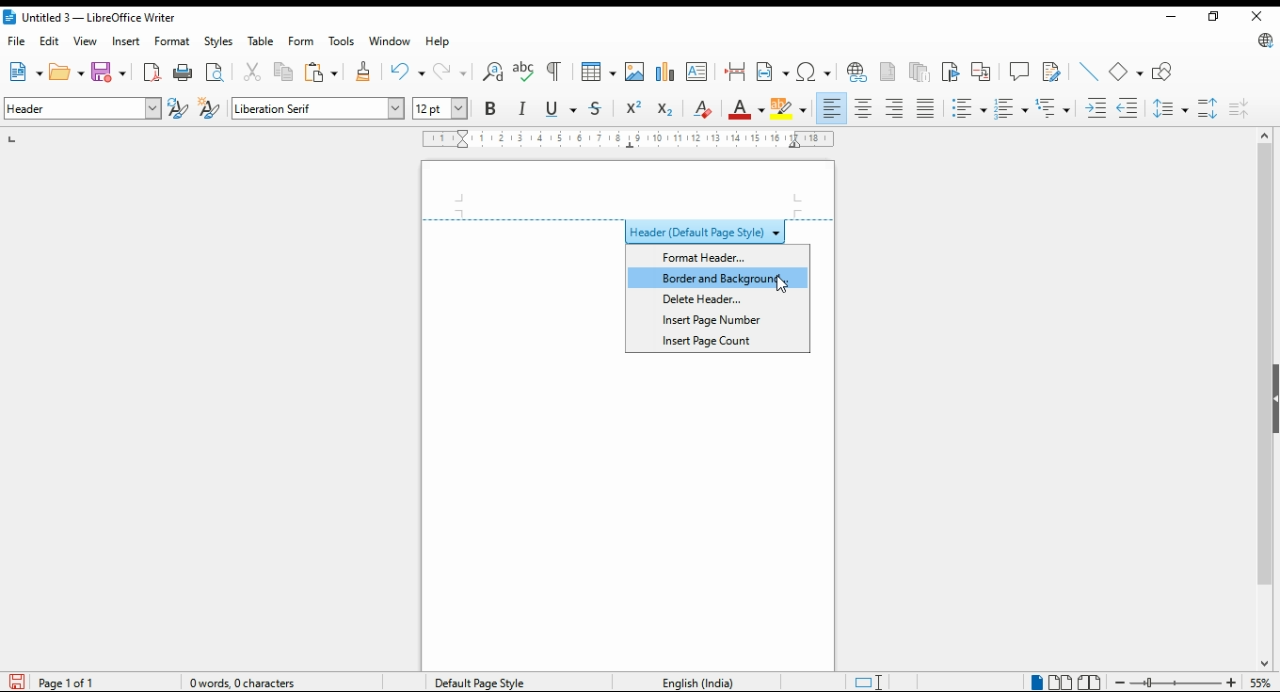 Image resolution: width=1280 pixels, height=692 pixels. I want to click on ave, so click(111, 71).